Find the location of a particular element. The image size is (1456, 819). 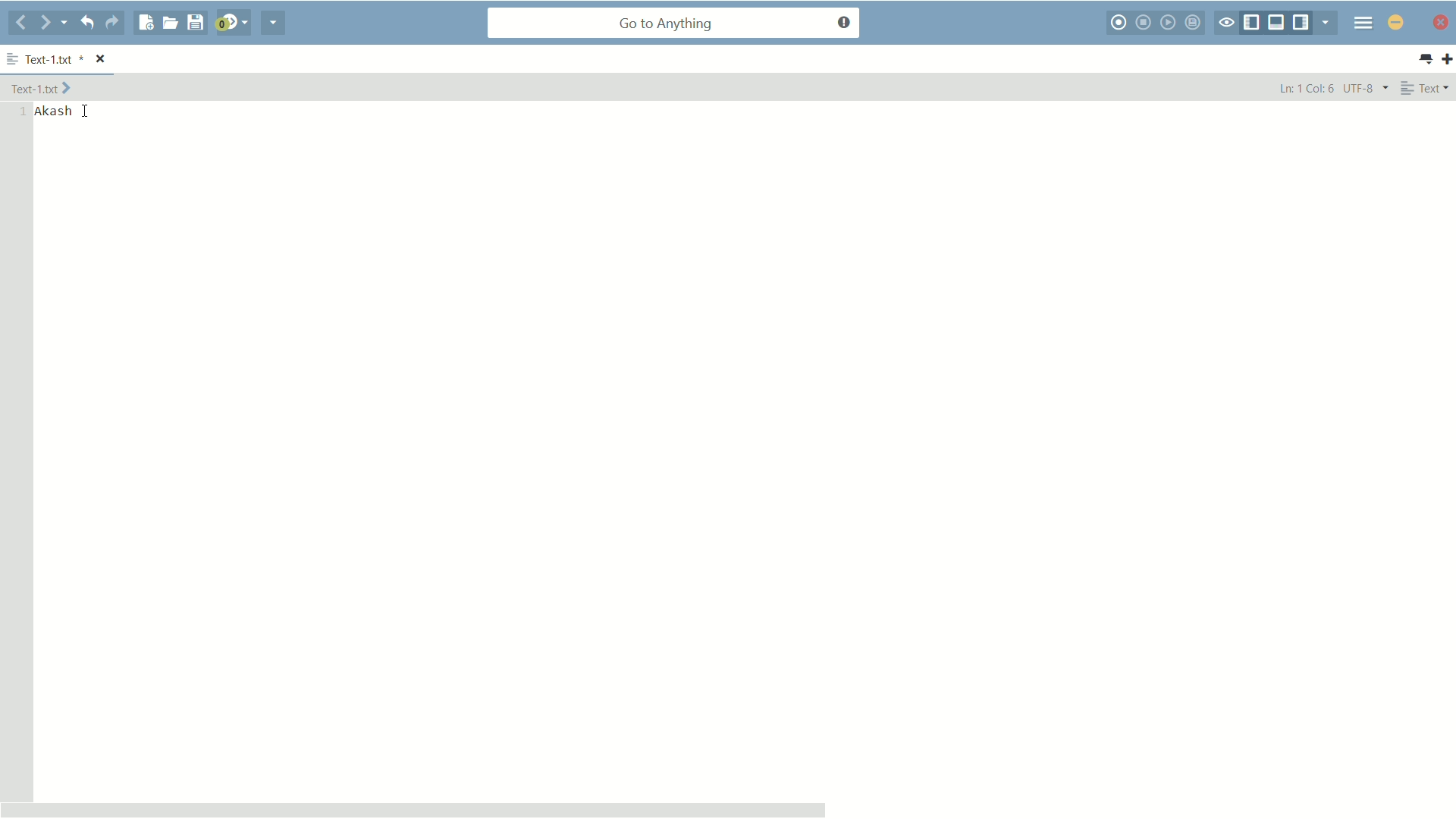

hide/show left panel is located at coordinates (1252, 24).